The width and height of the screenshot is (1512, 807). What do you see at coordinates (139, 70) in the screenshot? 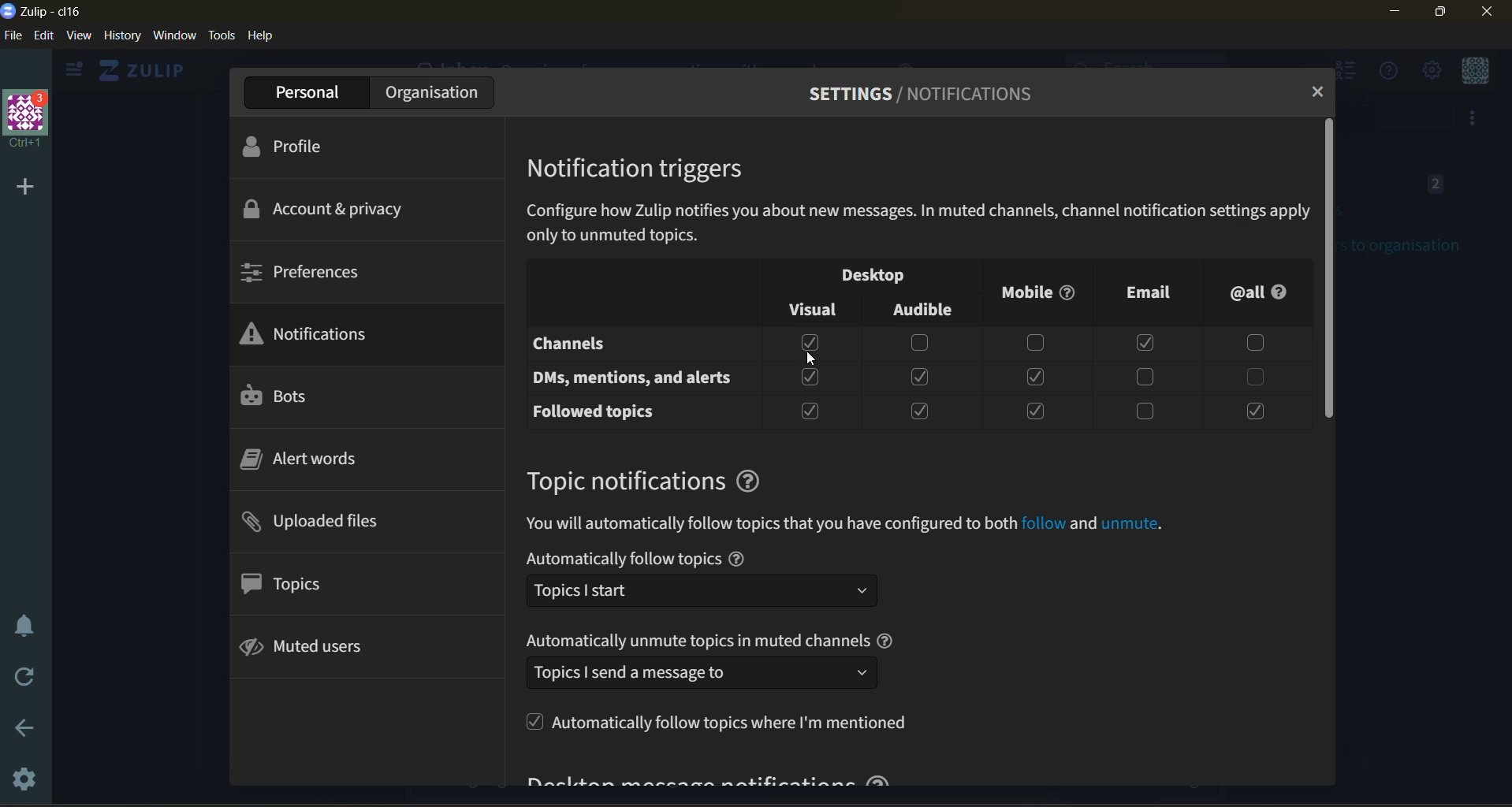
I see `home view` at bounding box center [139, 70].